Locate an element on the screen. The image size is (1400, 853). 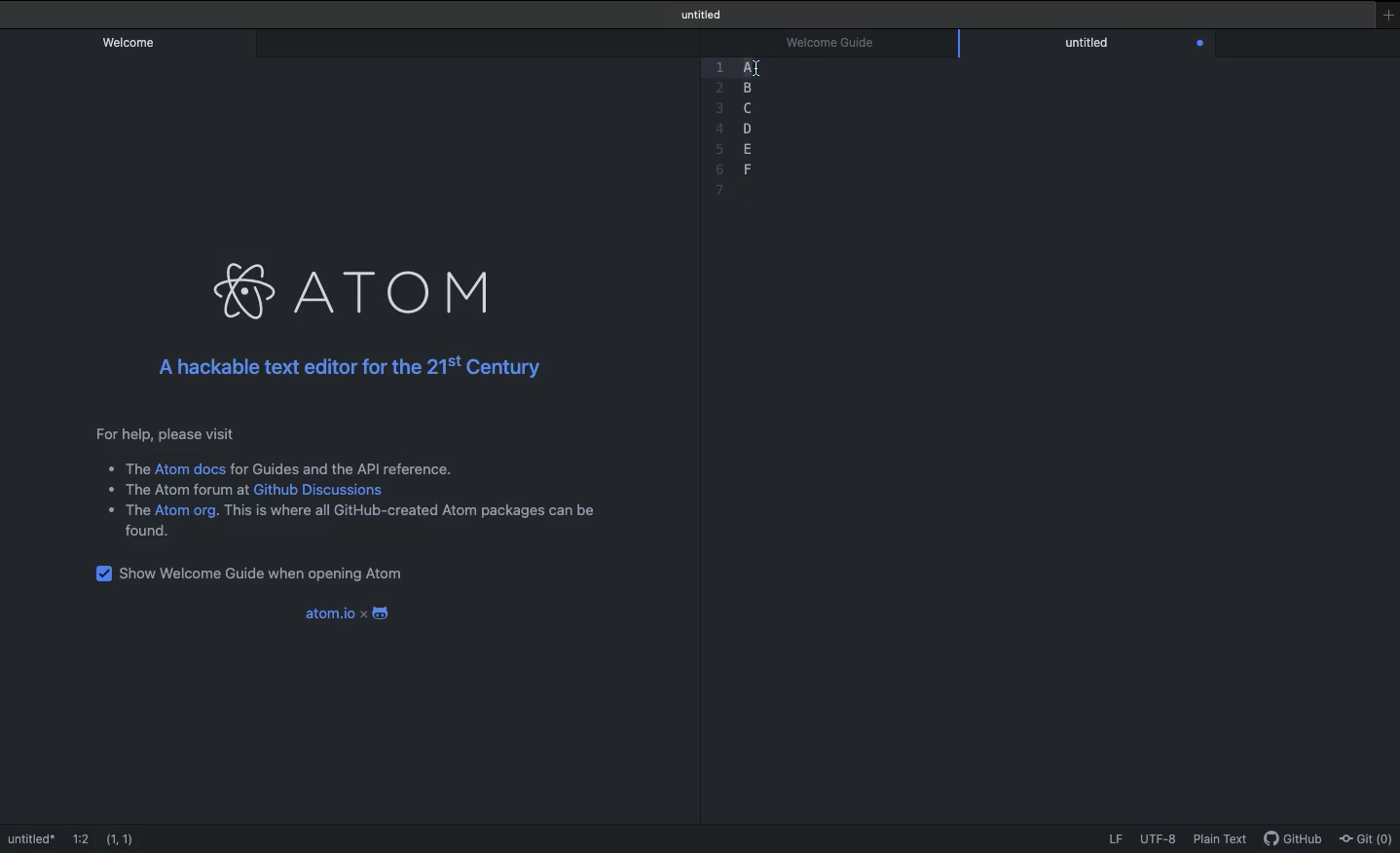
A hackable text editor  is located at coordinates (363, 369).